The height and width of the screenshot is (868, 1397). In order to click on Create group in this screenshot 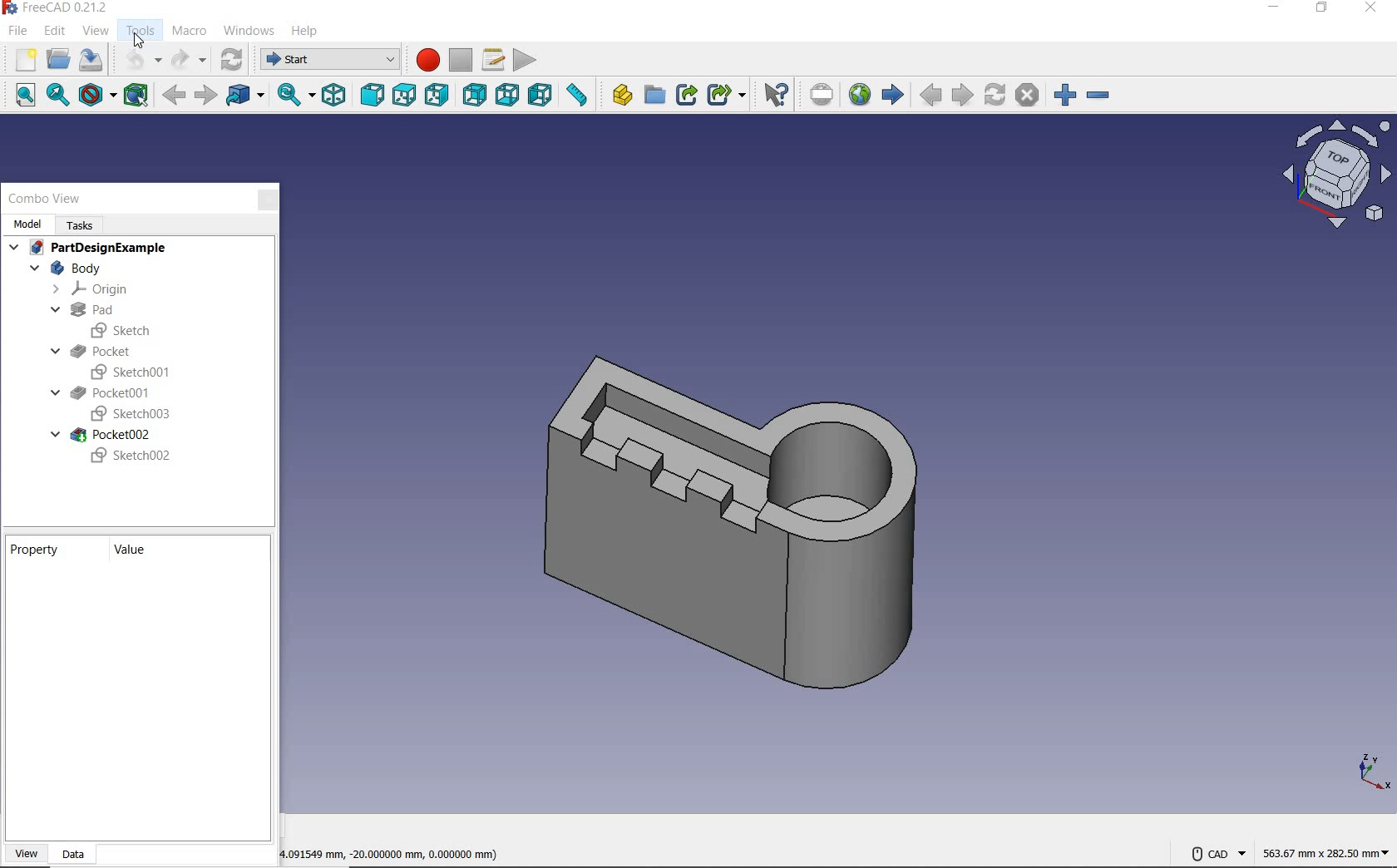, I will do `click(654, 94)`.